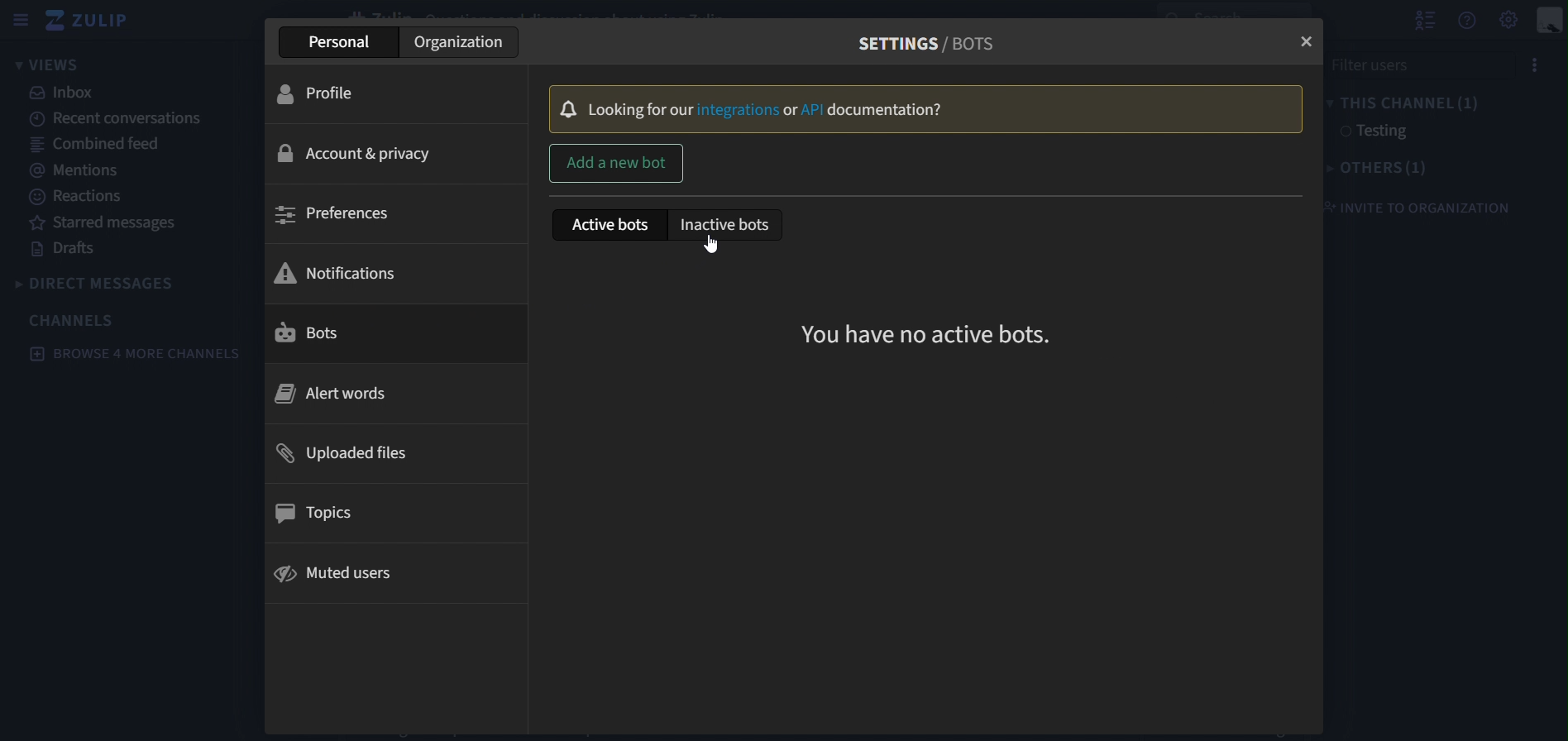 Image resolution: width=1568 pixels, height=741 pixels. I want to click on invite to organization, so click(1415, 207).